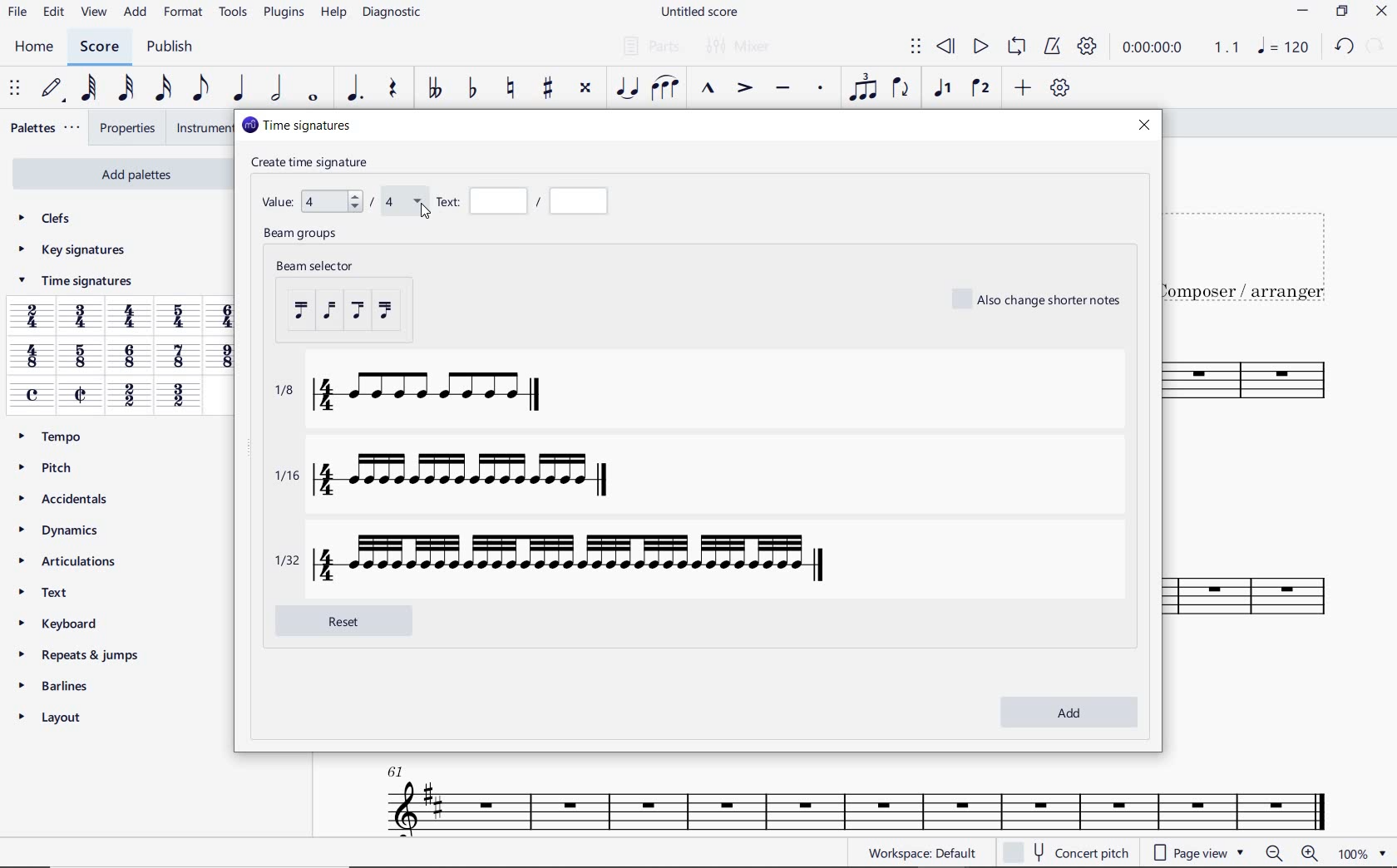 The height and width of the screenshot is (868, 1397). What do you see at coordinates (425, 215) in the screenshot?
I see `cursor` at bounding box center [425, 215].